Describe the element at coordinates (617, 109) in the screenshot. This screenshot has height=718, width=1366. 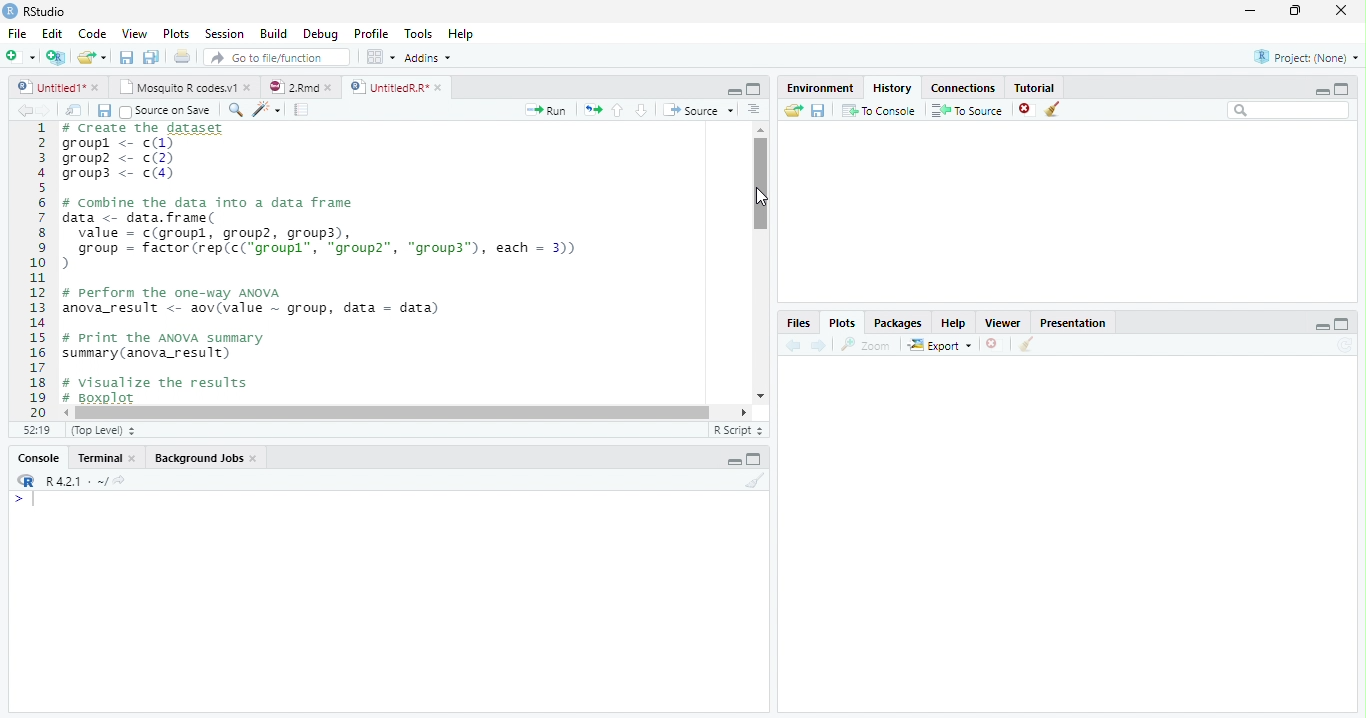
I see `Go to previous section` at that location.